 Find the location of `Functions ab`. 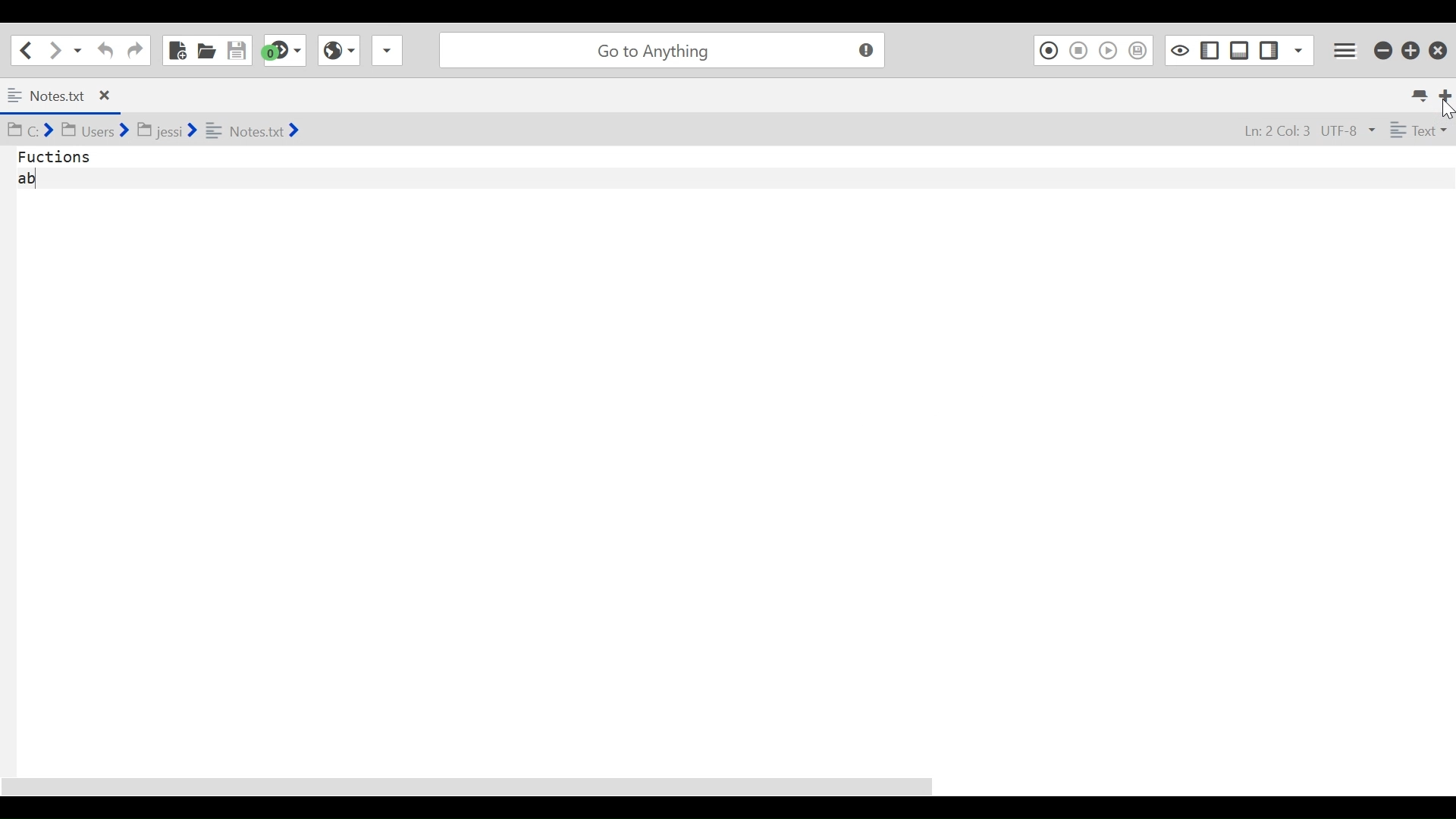

Functions ab is located at coordinates (729, 460).